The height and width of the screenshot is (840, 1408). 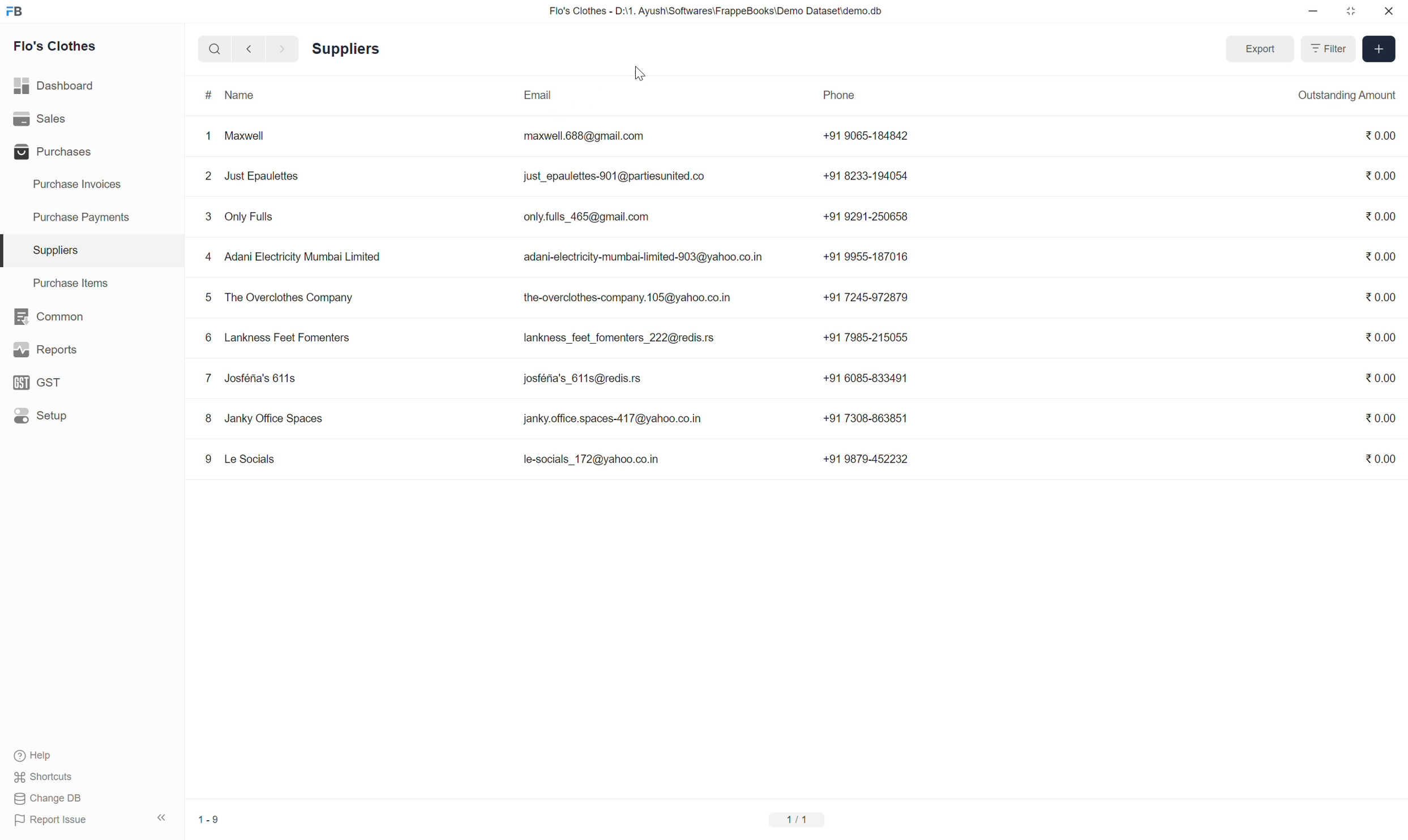 I want to click on Help, so click(x=34, y=757).